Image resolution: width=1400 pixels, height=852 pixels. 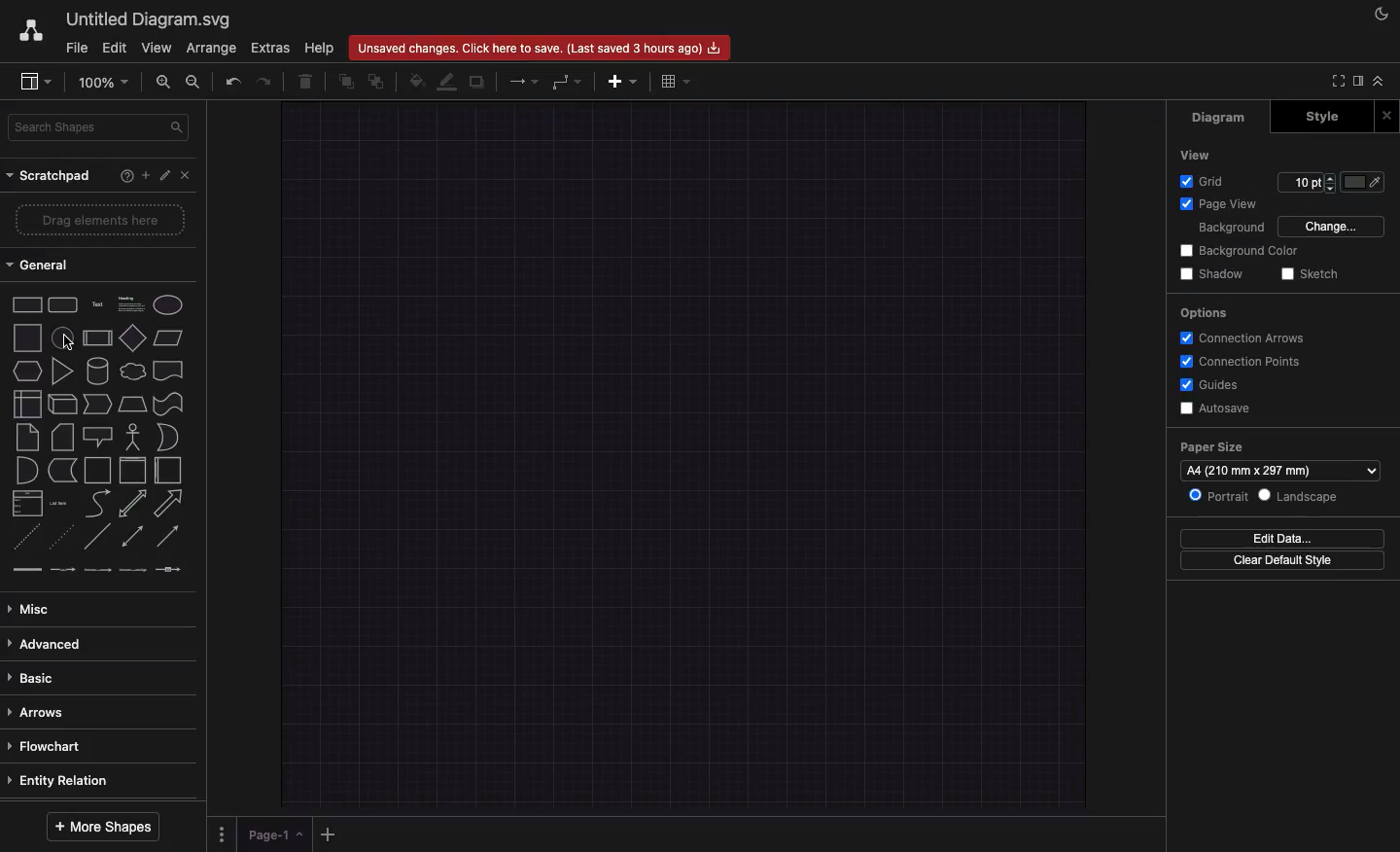 I want to click on Grid, so click(x=1206, y=181).